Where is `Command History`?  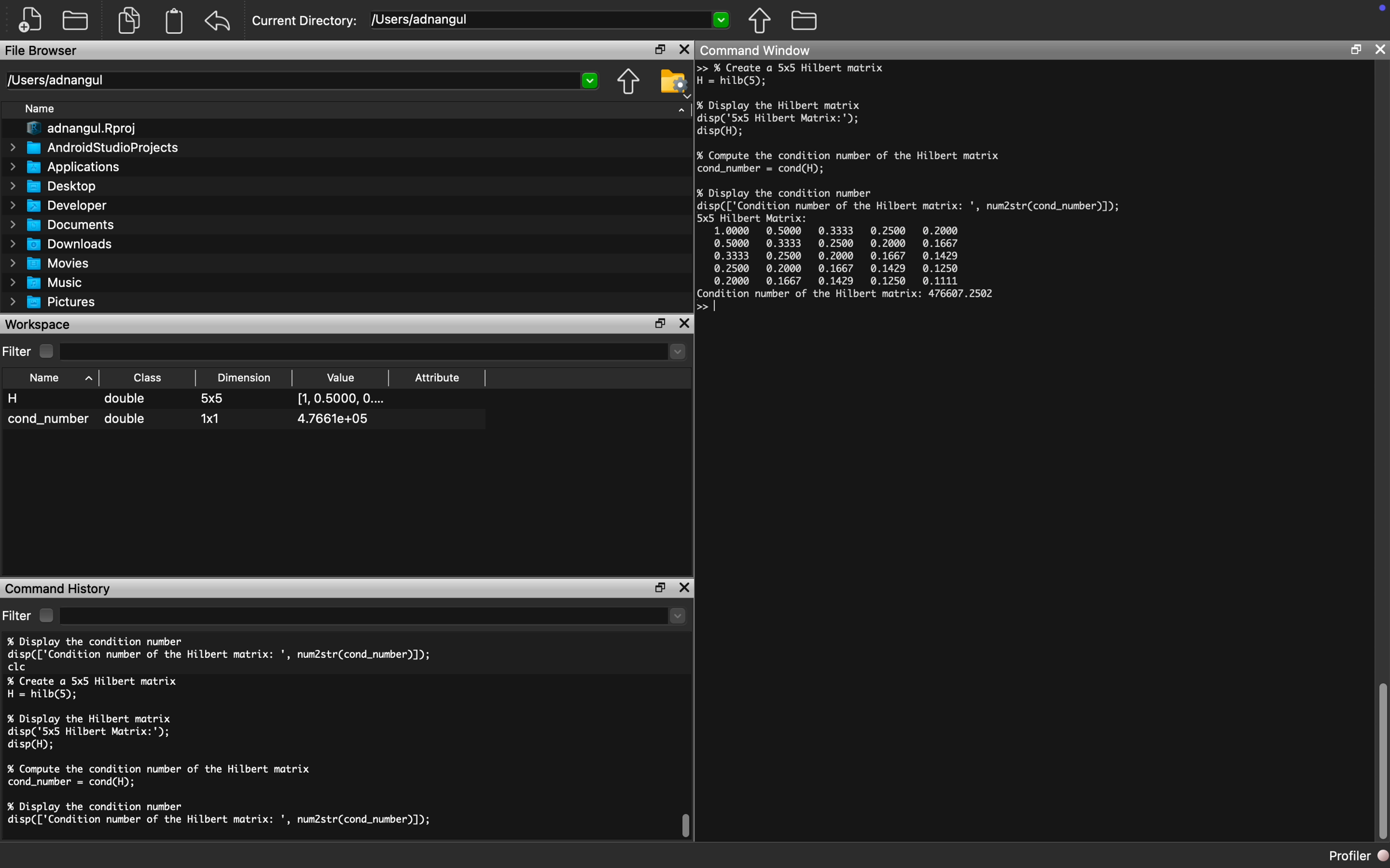 Command History is located at coordinates (59, 588).